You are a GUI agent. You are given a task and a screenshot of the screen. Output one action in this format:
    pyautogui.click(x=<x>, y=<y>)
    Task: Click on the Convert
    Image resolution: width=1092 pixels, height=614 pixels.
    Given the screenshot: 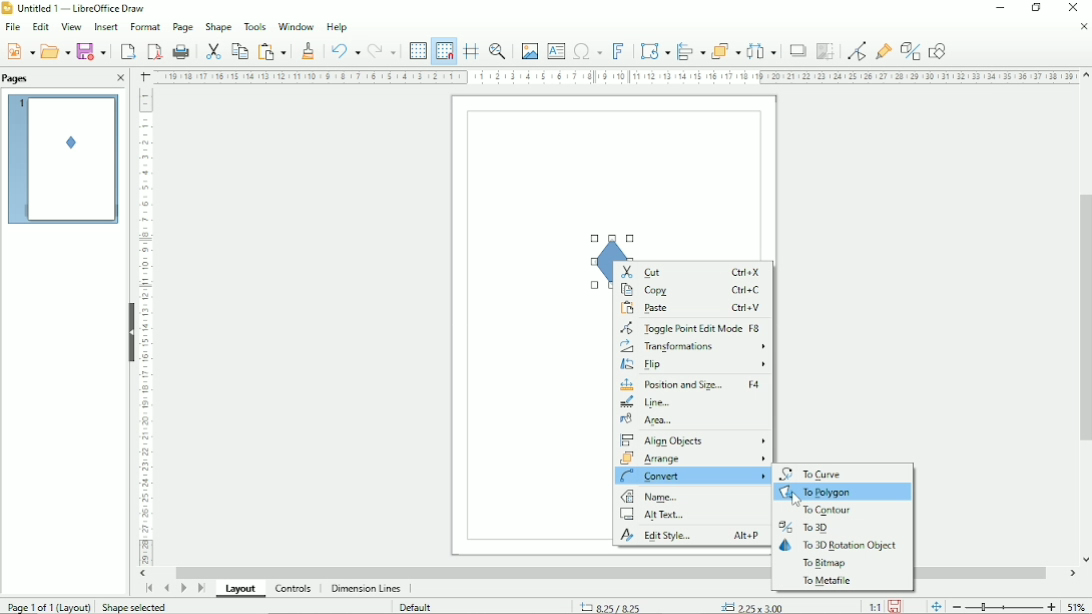 What is the action you would take?
    pyautogui.click(x=691, y=478)
    